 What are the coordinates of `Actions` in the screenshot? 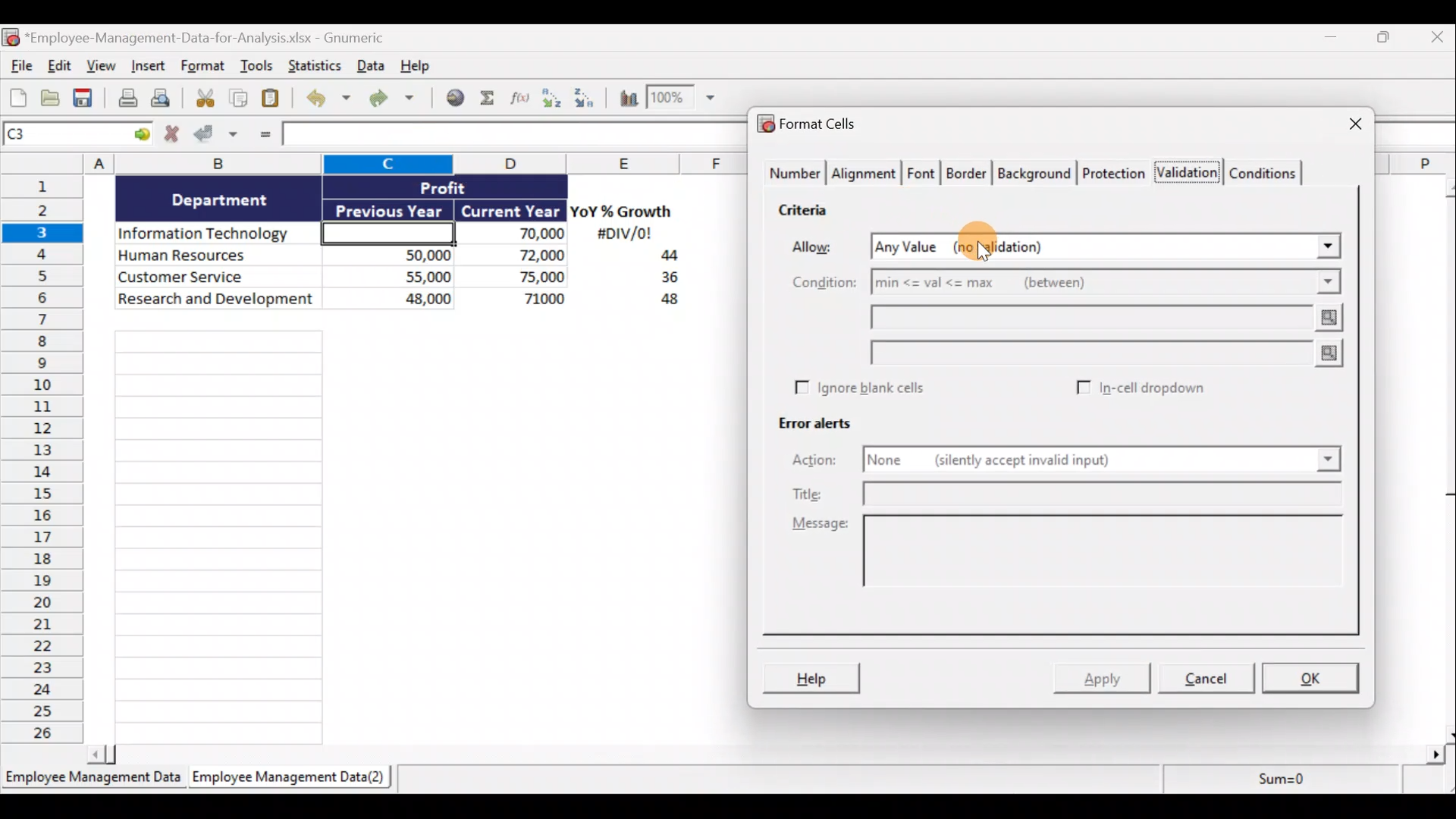 It's located at (823, 462).